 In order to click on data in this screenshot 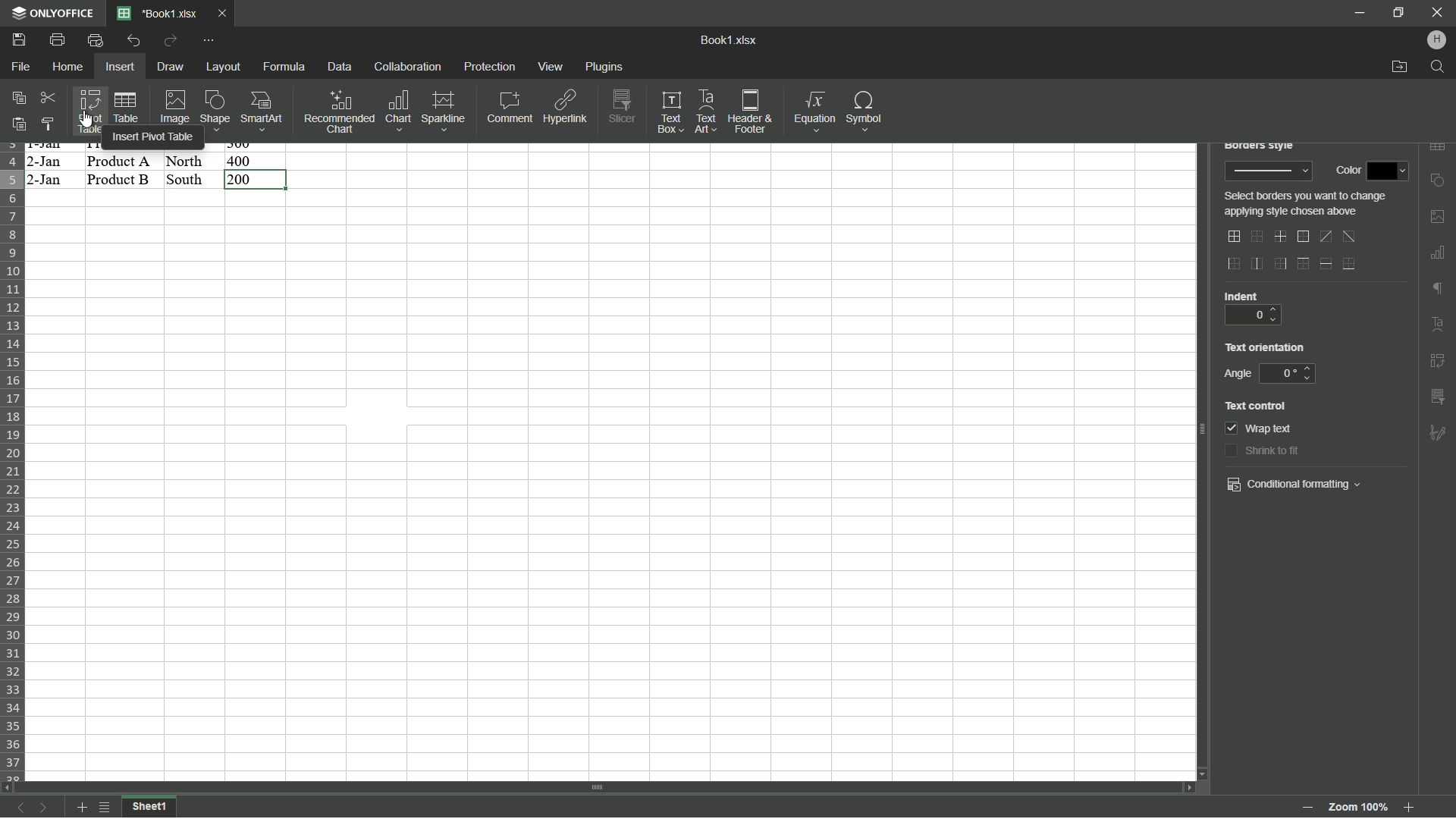, I will do `click(158, 173)`.